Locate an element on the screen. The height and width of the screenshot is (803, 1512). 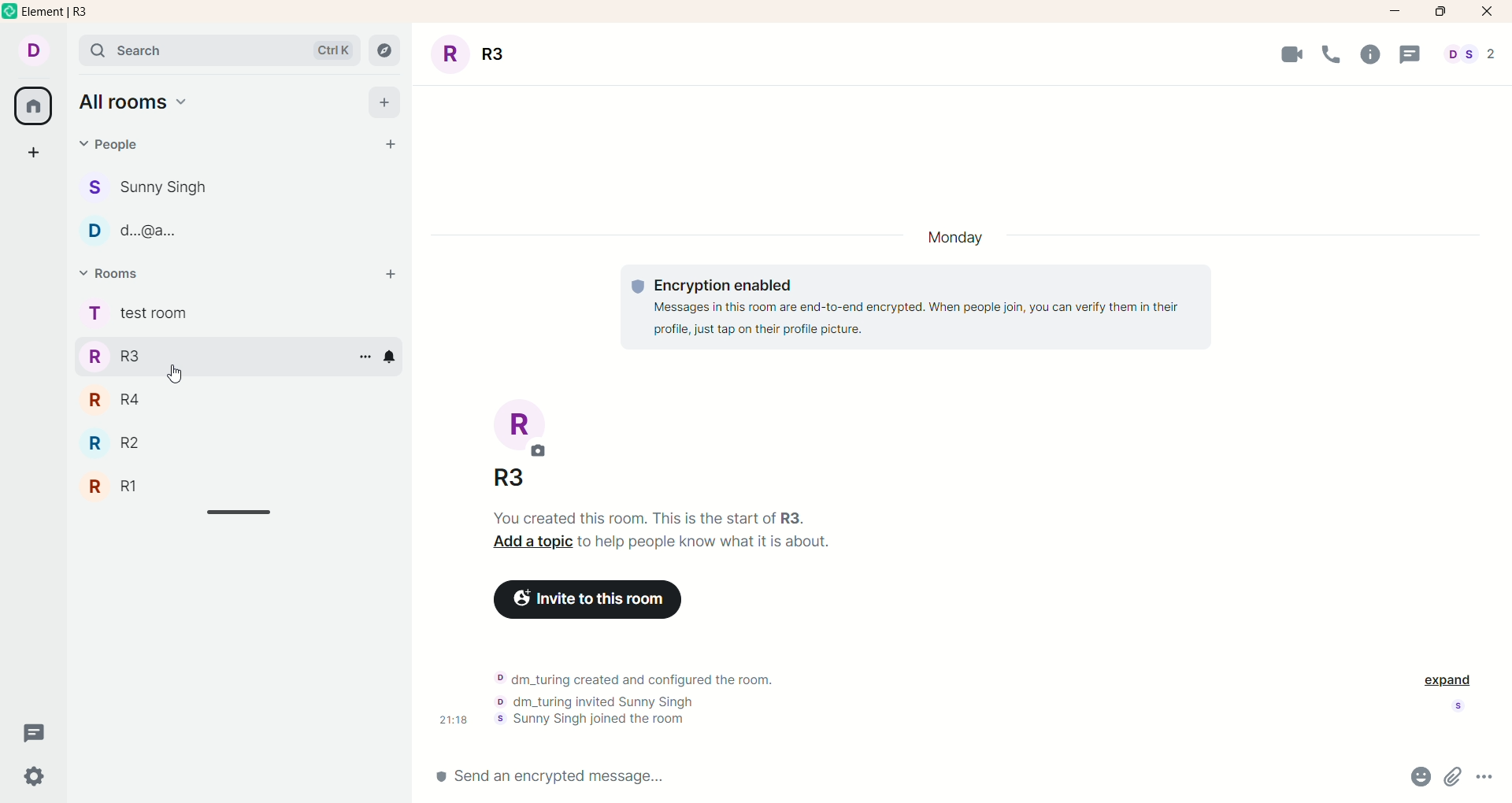
Message is located at coordinates (1414, 53).